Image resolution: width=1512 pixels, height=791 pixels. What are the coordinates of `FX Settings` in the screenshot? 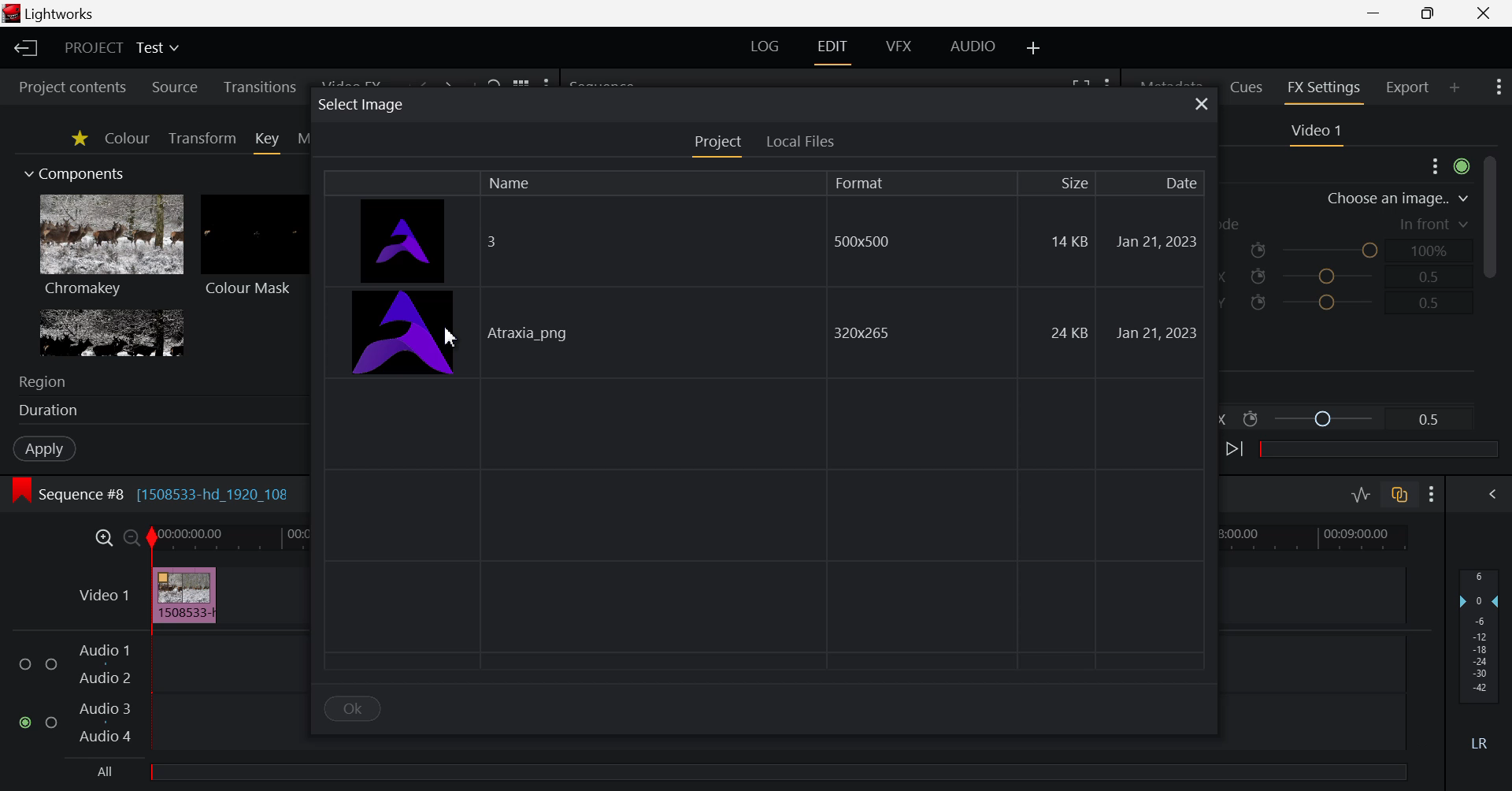 It's located at (1326, 89).